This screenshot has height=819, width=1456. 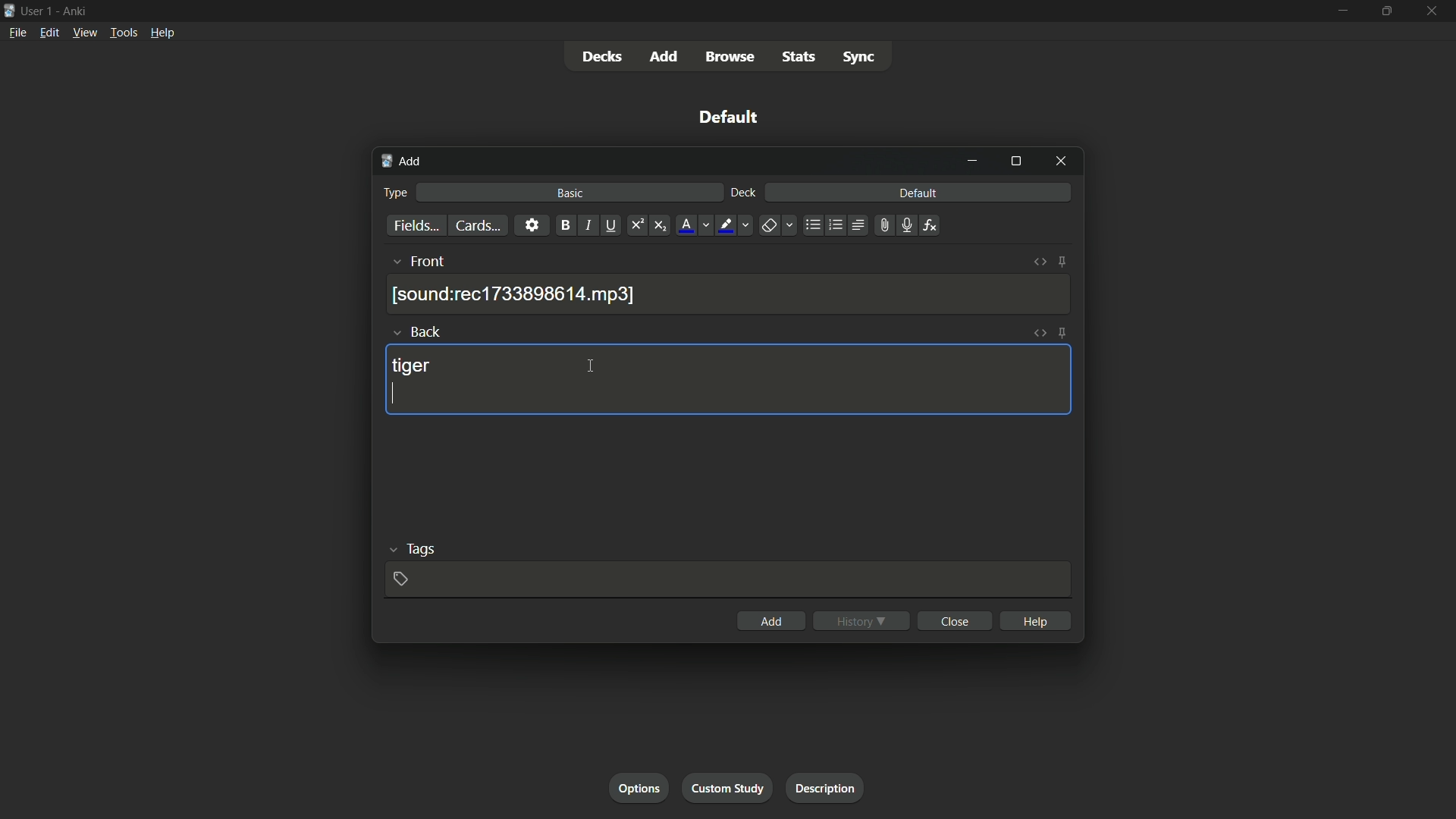 What do you see at coordinates (858, 227) in the screenshot?
I see `alignment` at bounding box center [858, 227].